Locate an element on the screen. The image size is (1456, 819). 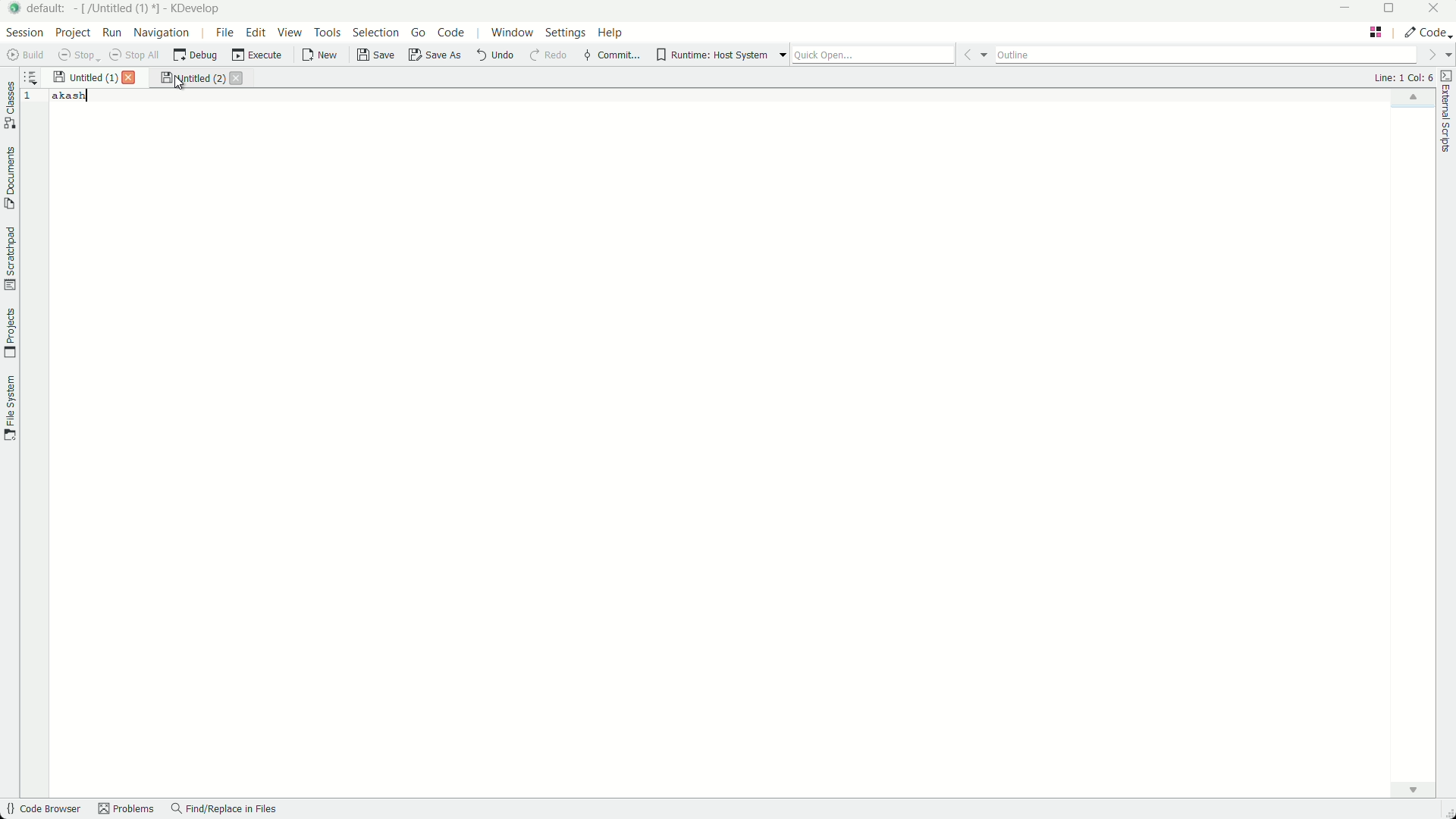
tools menu is located at coordinates (325, 33).